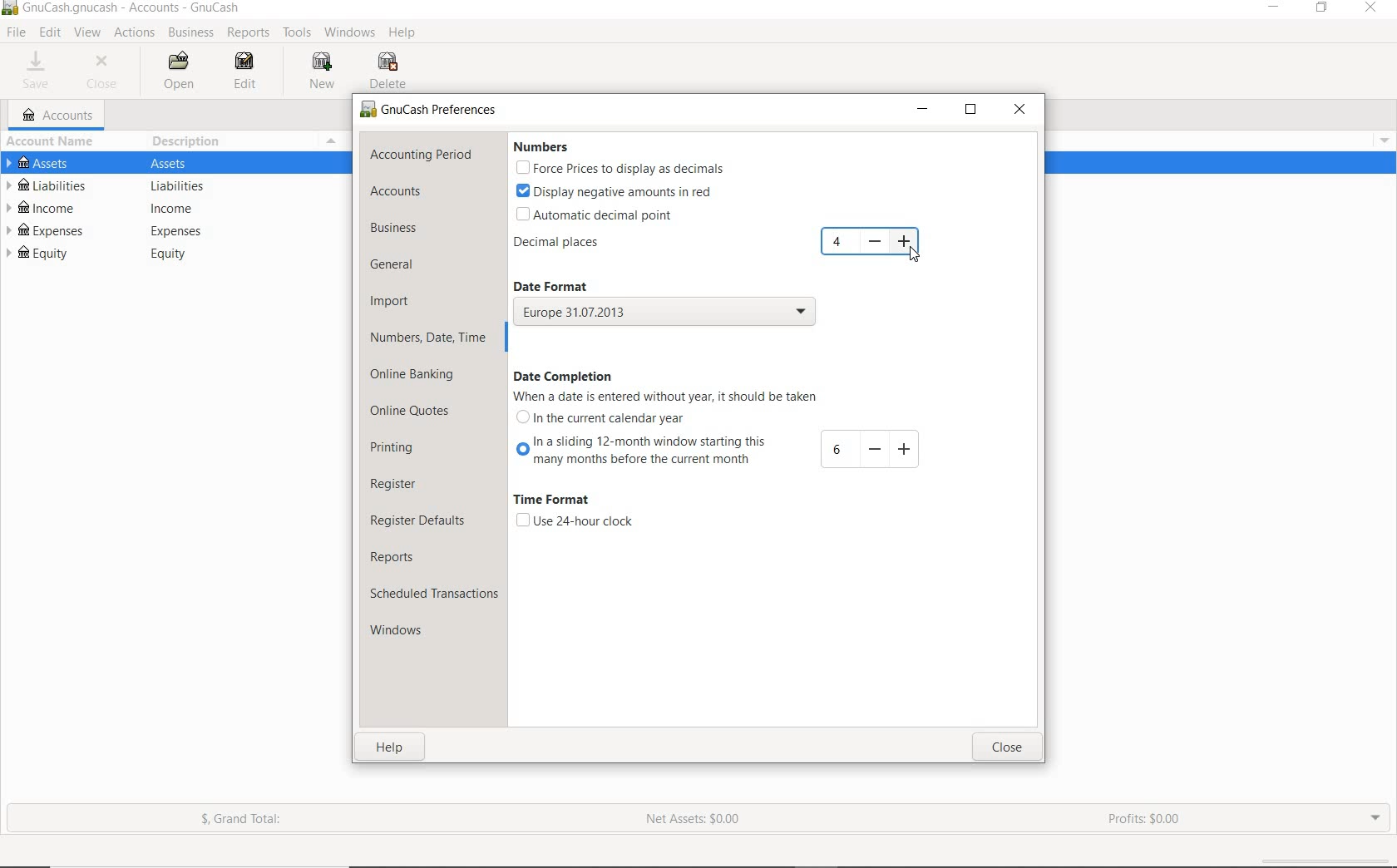 The height and width of the screenshot is (868, 1397). What do you see at coordinates (619, 168) in the screenshot?
I see `force prices to display as decimal` at bounding box center [619, 168].